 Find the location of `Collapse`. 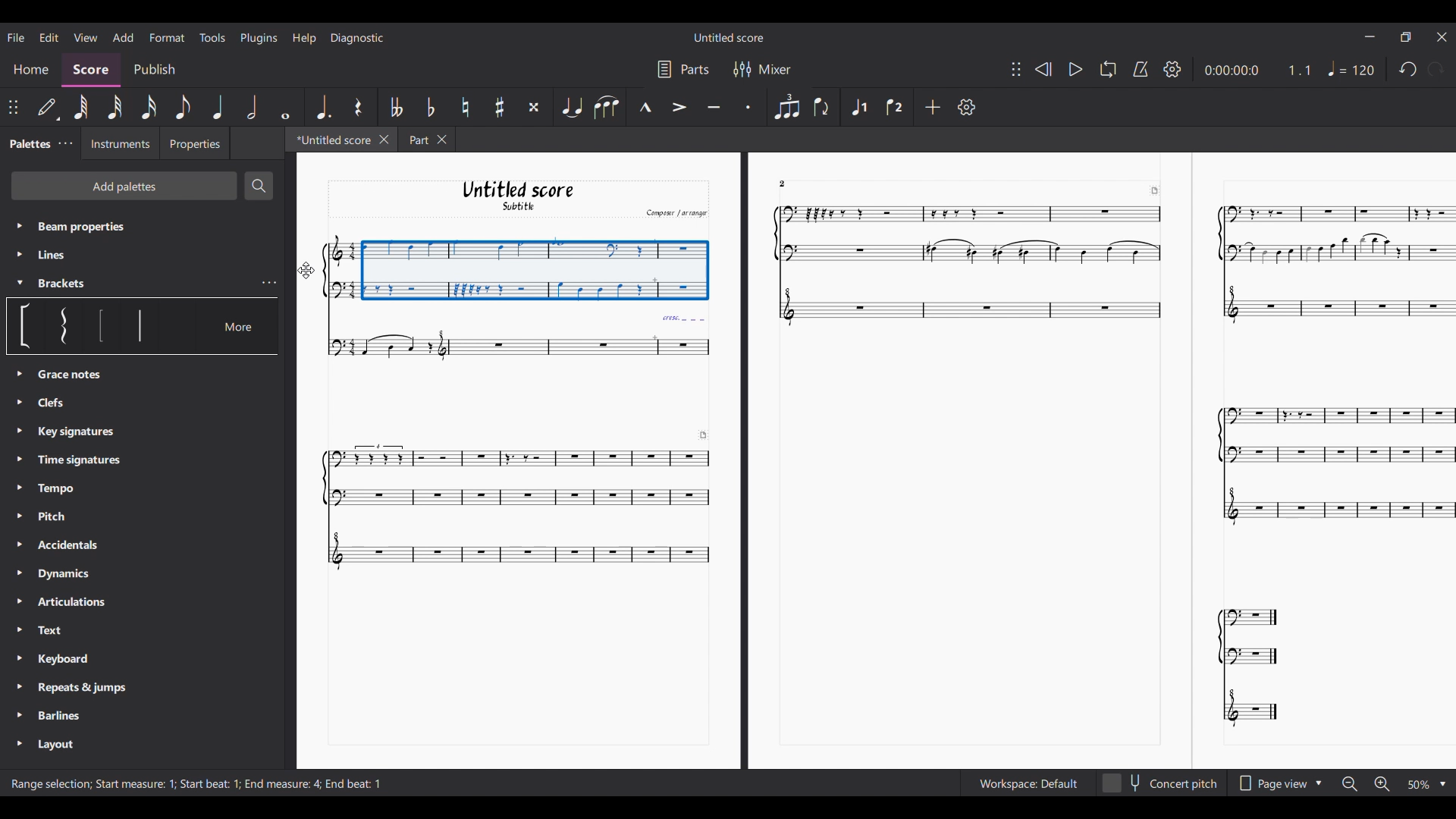

Collapse is located at coordinates (20, 283).